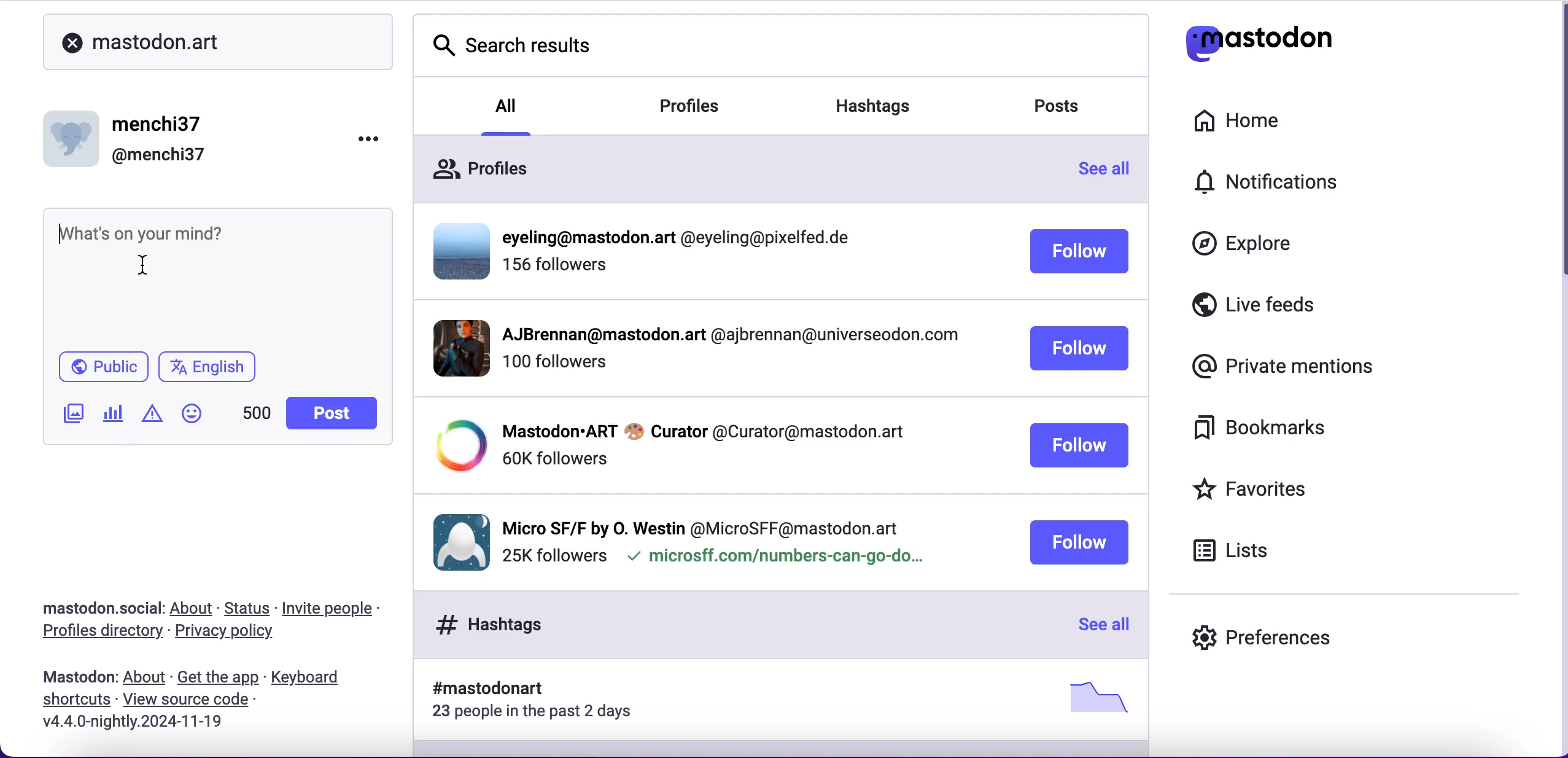  What do you see at coordinates (1252, 122) in the screenshot?
I see `home` at bounding box center [1252, 122].